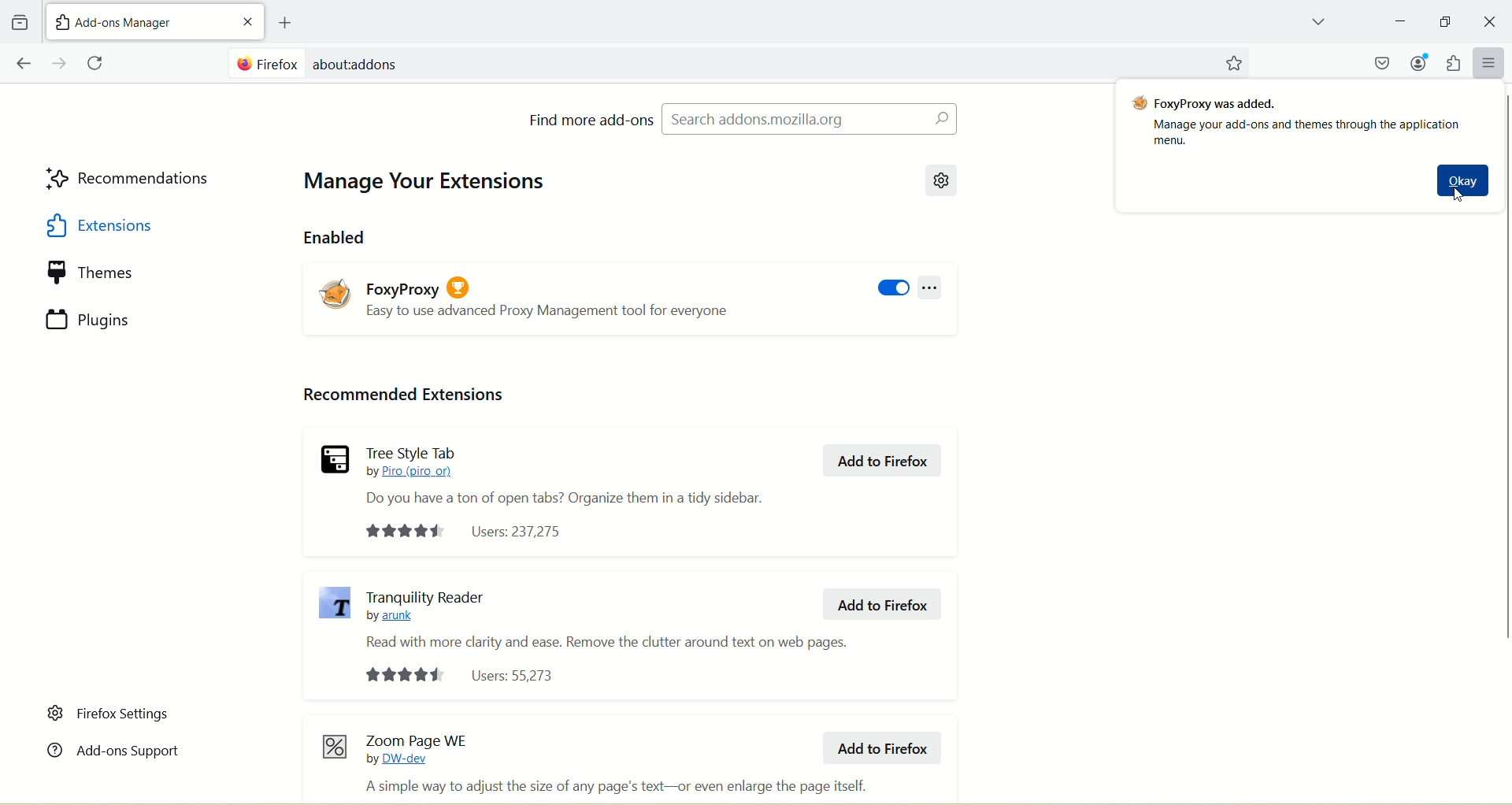 This screenshot has height=805, width=1512. What do you see at coordinates (1418, 62) in the screenshot?
I see `Account` at bounding box center [1418, 62].